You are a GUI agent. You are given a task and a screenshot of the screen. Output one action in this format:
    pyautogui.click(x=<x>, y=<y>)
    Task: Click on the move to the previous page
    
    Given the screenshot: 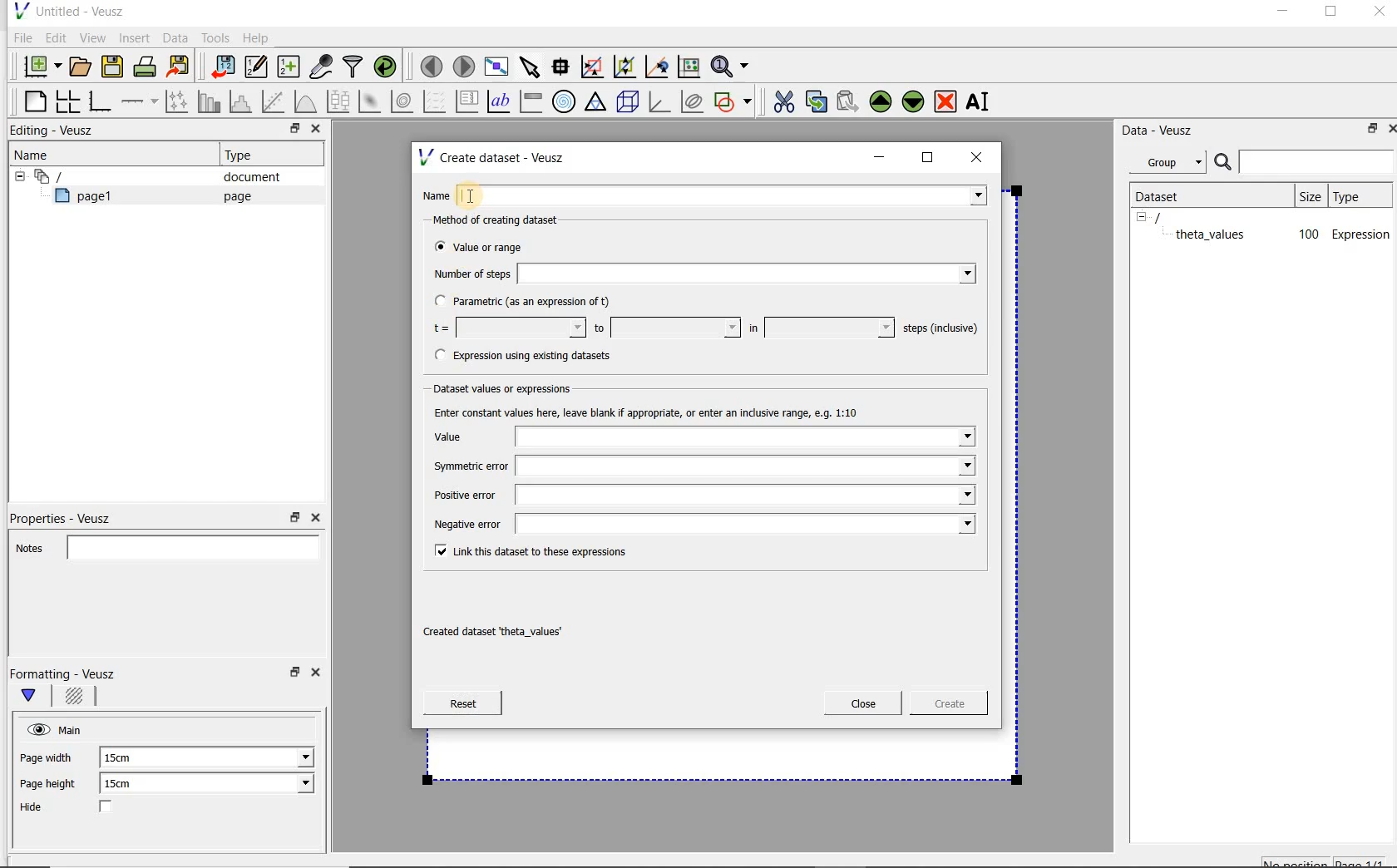 What is the action you would take?
    pyautogui.click(x=432, y=64)
    